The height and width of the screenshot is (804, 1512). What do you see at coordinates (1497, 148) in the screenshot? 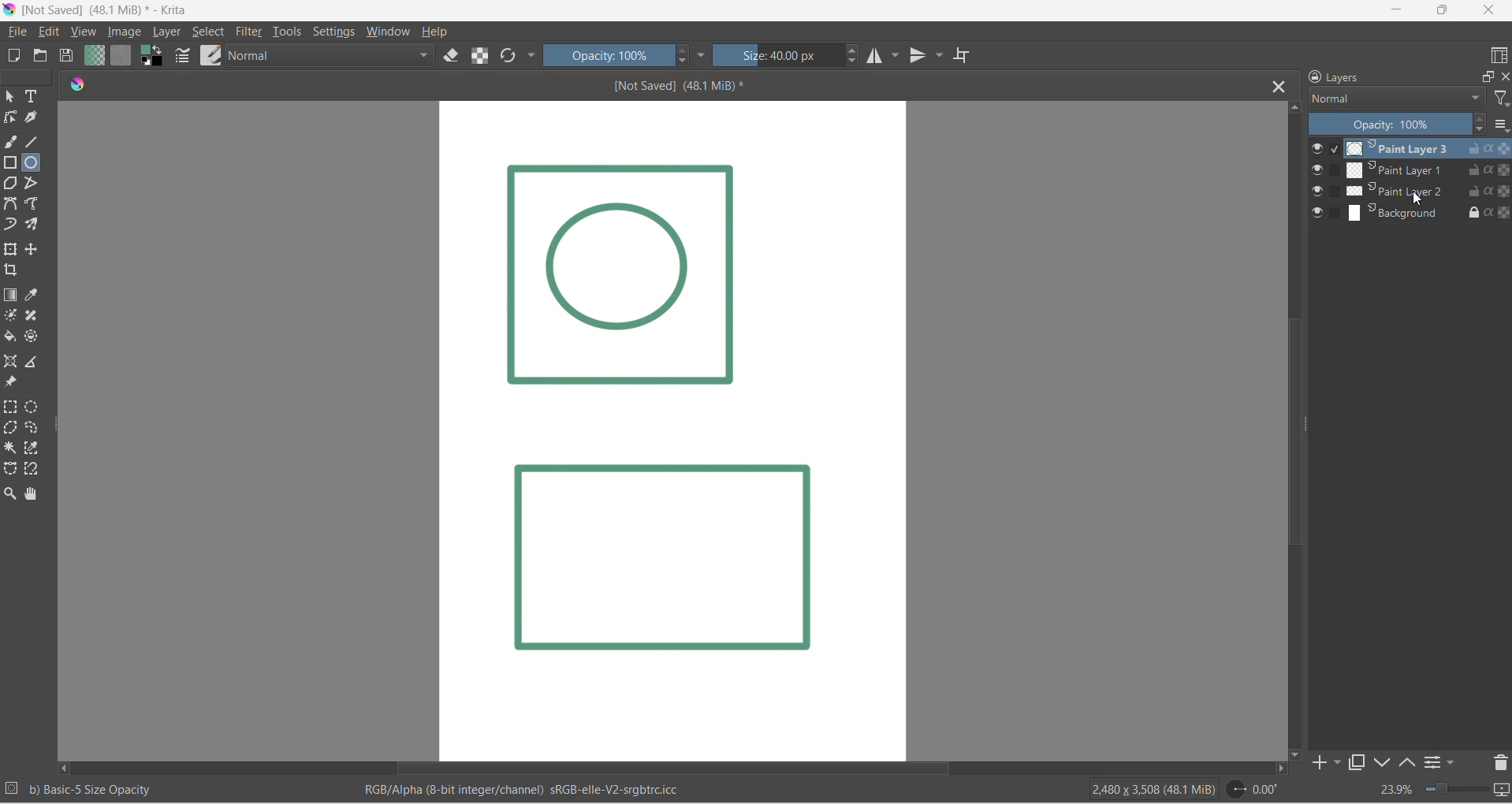
I see `preserve alpha` at bounding box center [1497, 148].